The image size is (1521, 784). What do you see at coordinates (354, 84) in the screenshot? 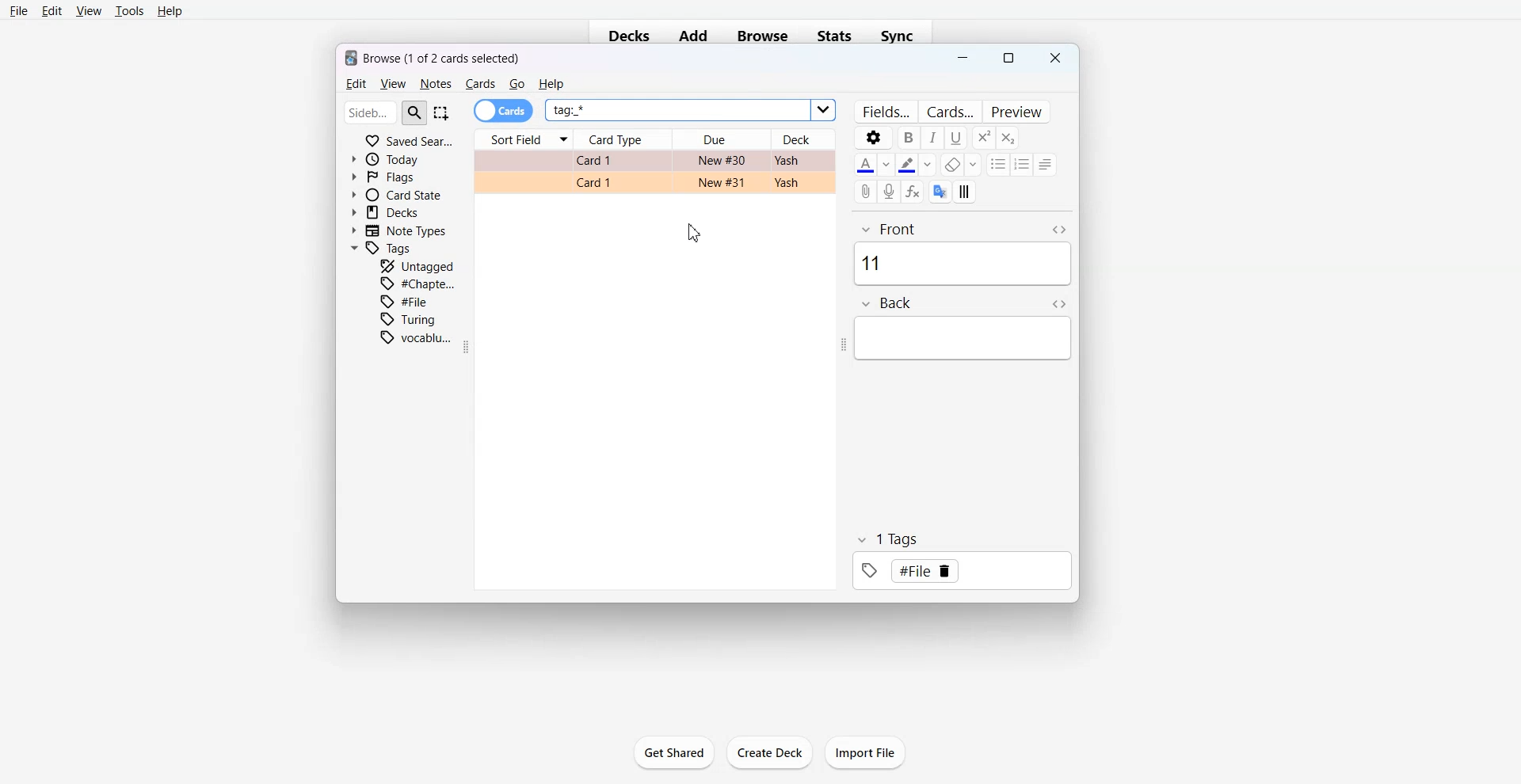
I see `Edit` at bounding box center [354, 84].